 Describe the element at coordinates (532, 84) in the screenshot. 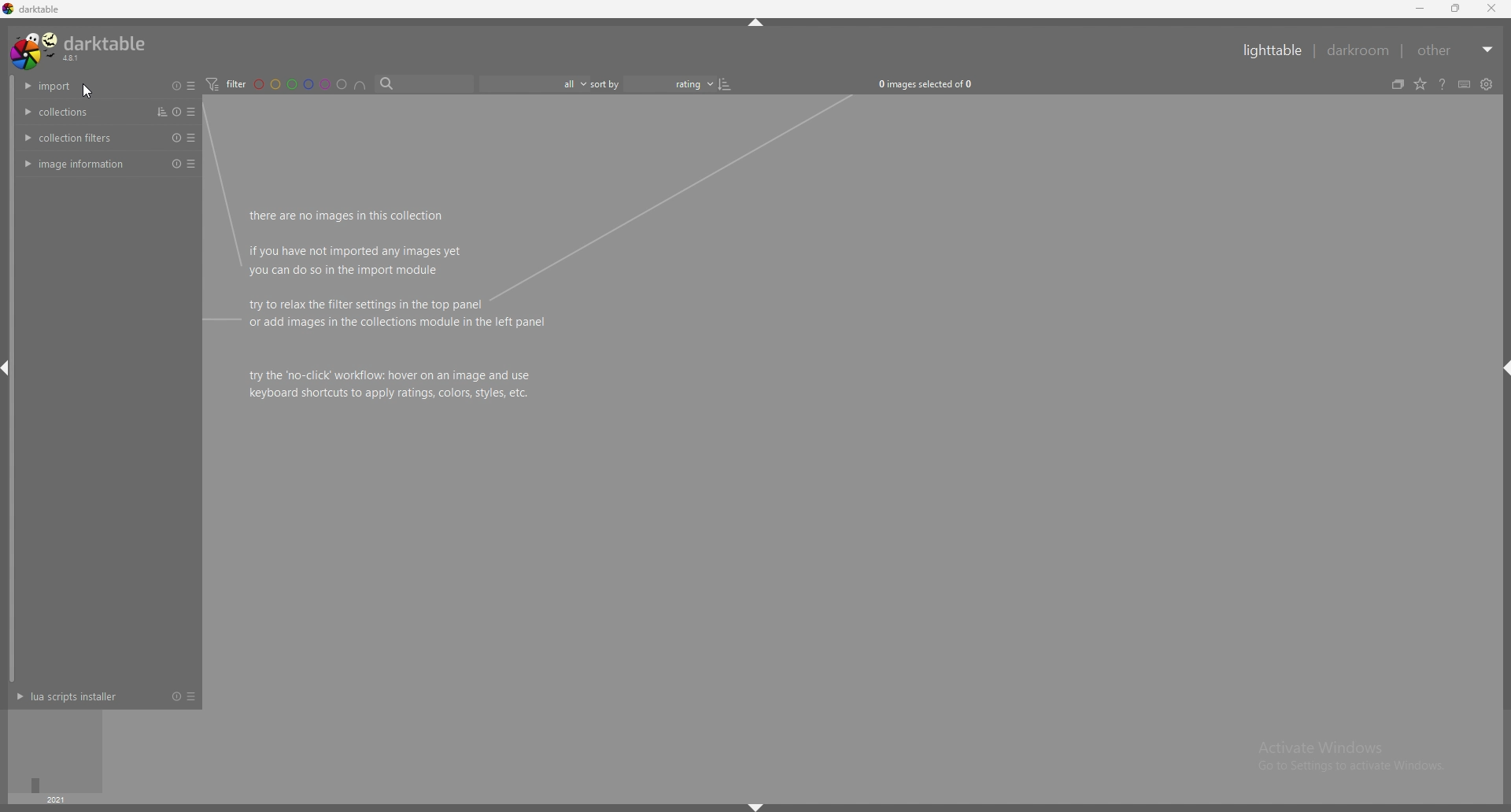

I see `filter by images rating` at that location.